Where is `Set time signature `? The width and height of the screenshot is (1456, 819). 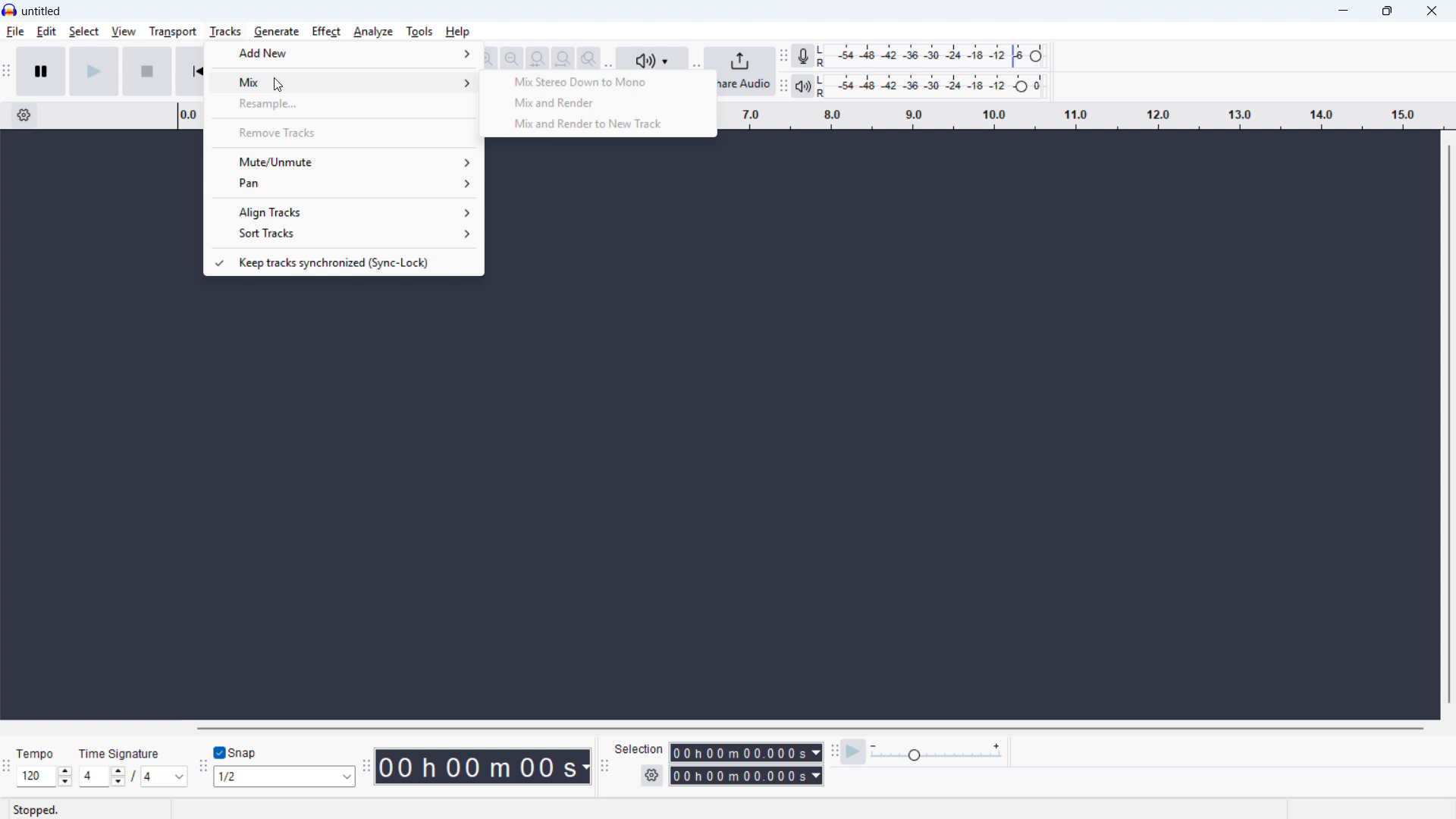
Set time signature  is located at coordinates (132, 777).